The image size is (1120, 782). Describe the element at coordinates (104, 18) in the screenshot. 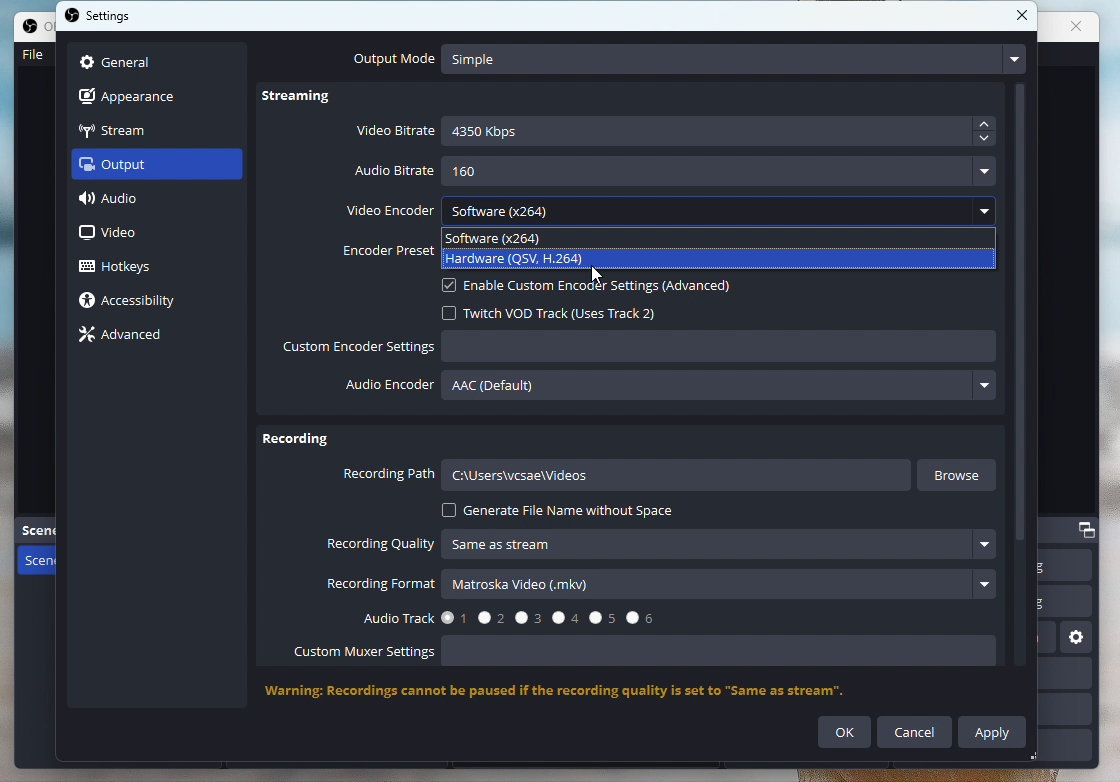

I see `settings` at that location.